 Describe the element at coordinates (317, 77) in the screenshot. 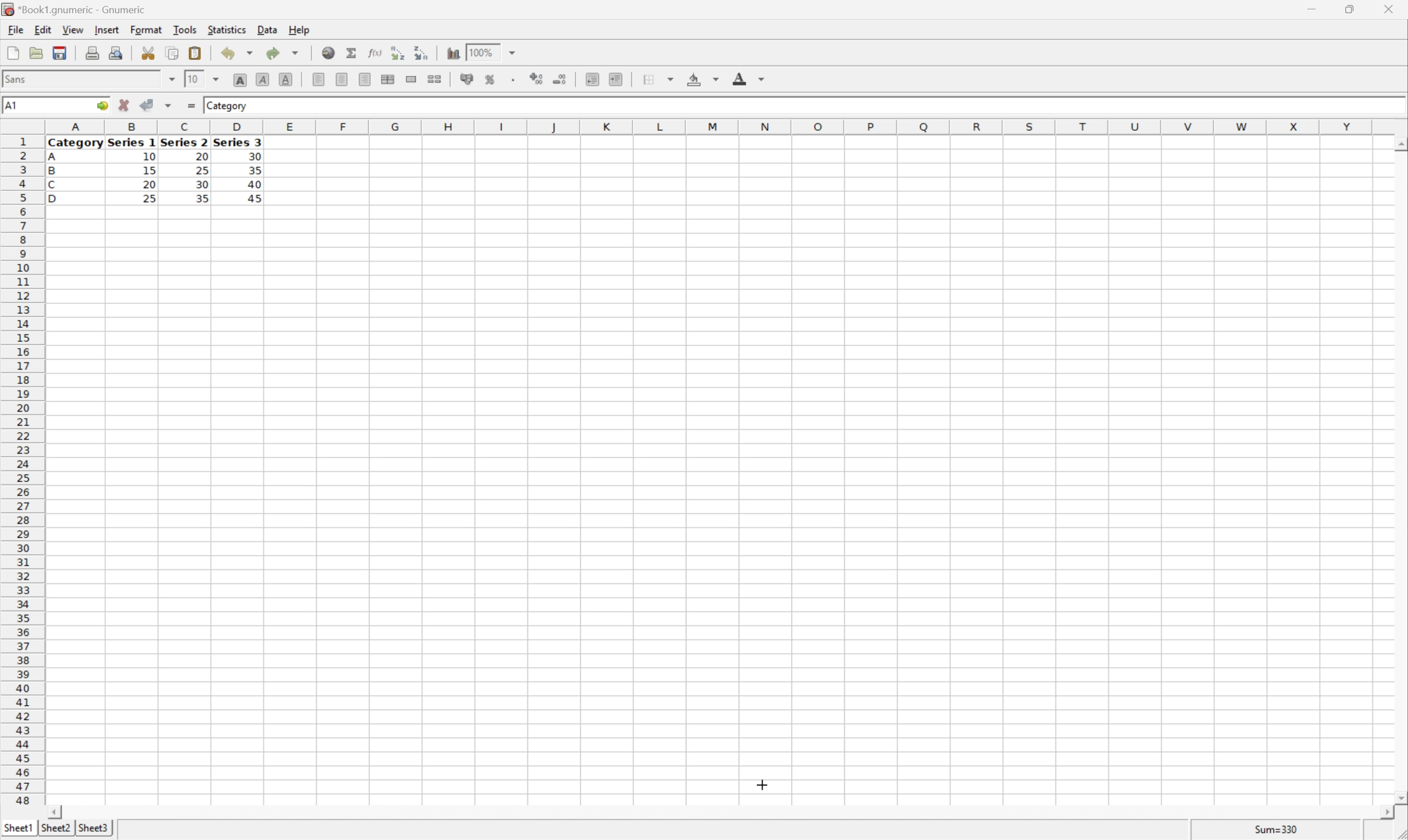

I see `Align Left` at that location.